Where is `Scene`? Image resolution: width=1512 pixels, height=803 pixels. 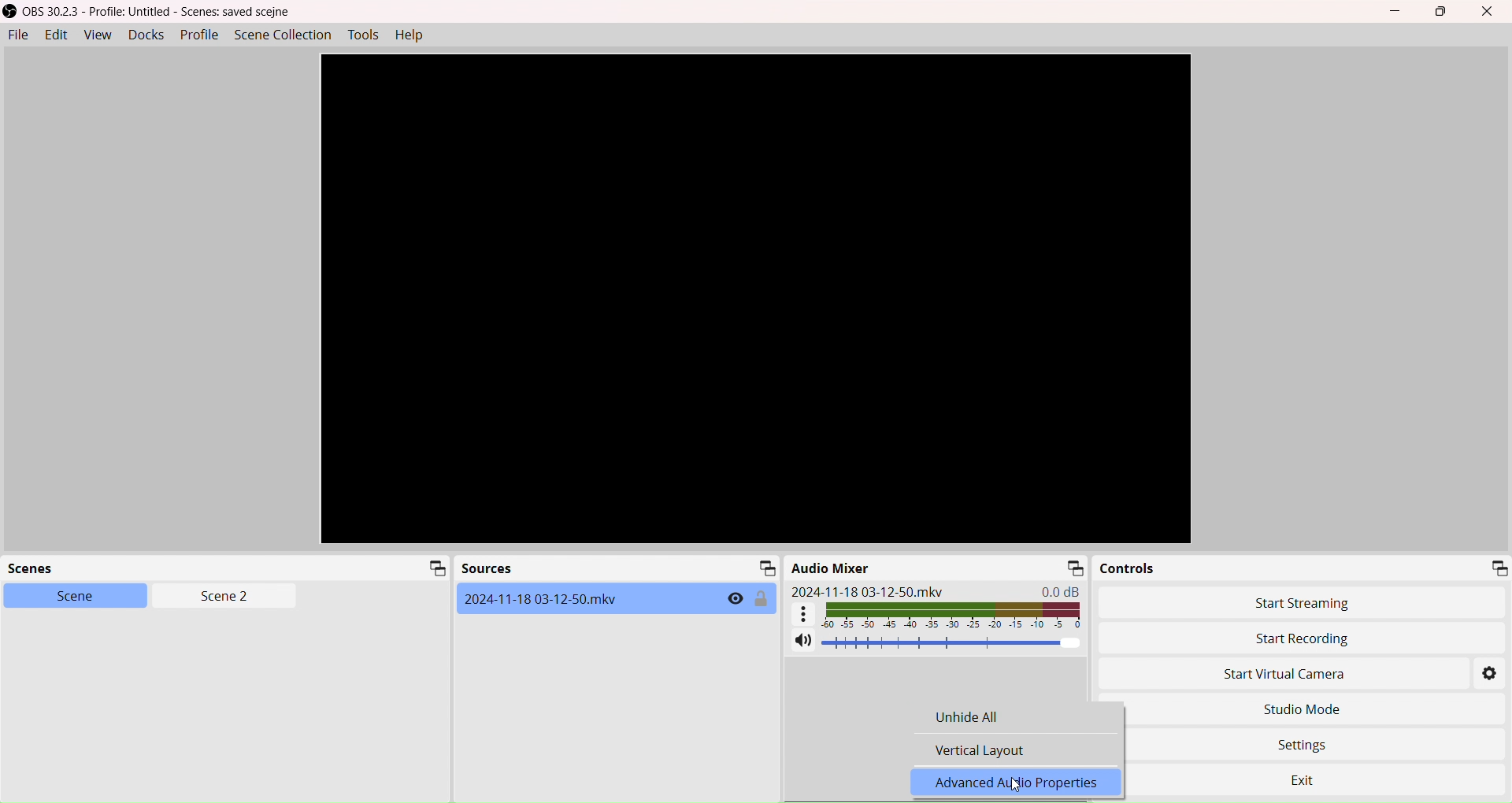 Scene is located at coordinates (65, 595).